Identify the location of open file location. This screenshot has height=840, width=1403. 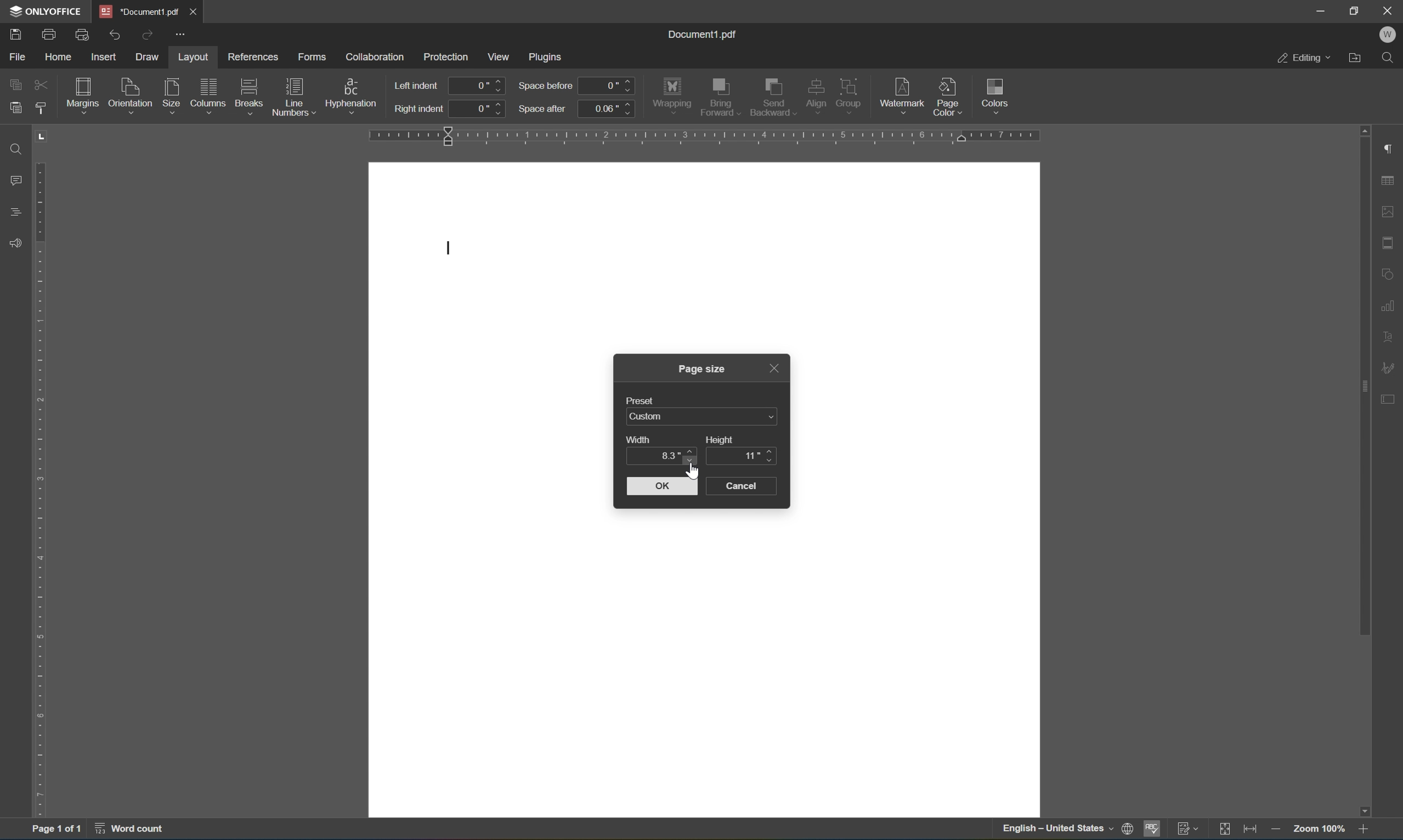
(1355, 58).